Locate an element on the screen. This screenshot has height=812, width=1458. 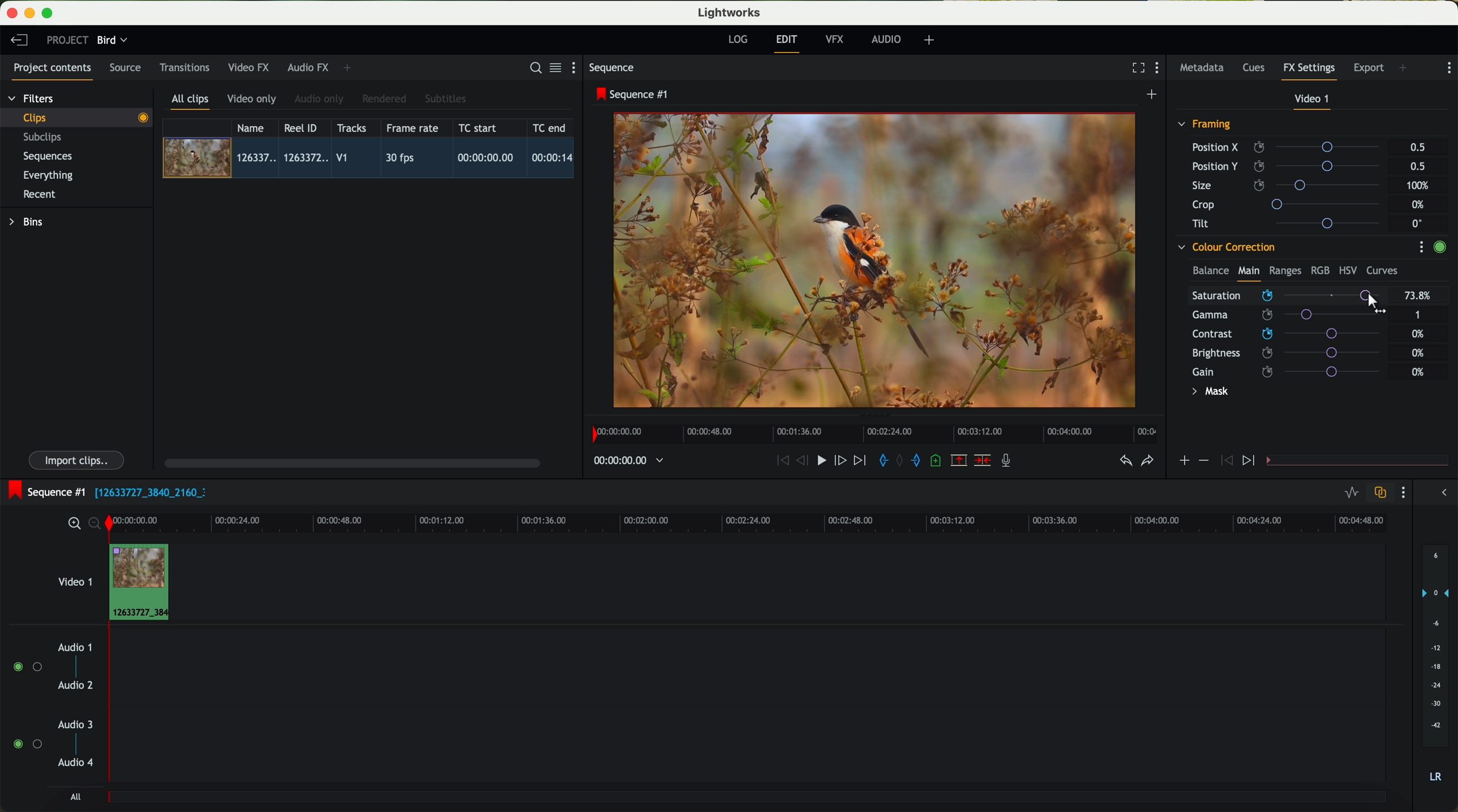
clips is located at coordinates (77, 117).